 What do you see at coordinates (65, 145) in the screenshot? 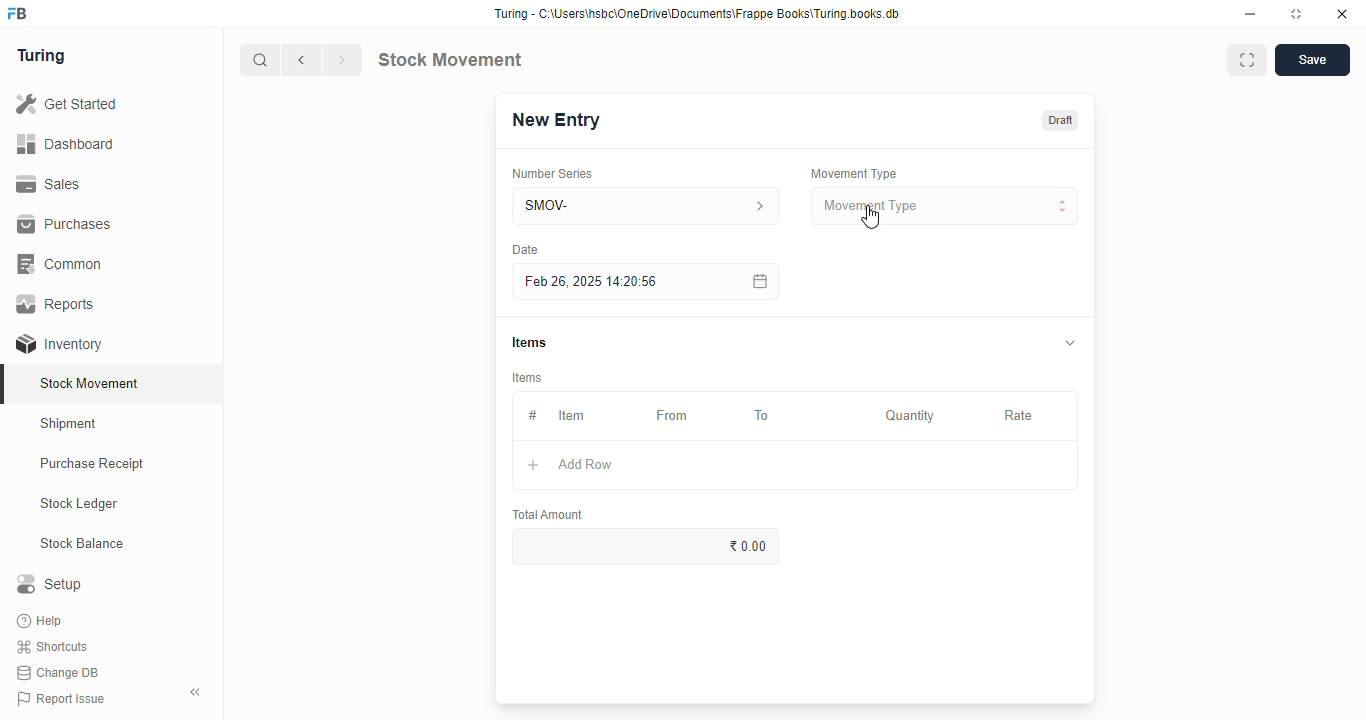
I see `dashboard` at bounding box center [65, 145].